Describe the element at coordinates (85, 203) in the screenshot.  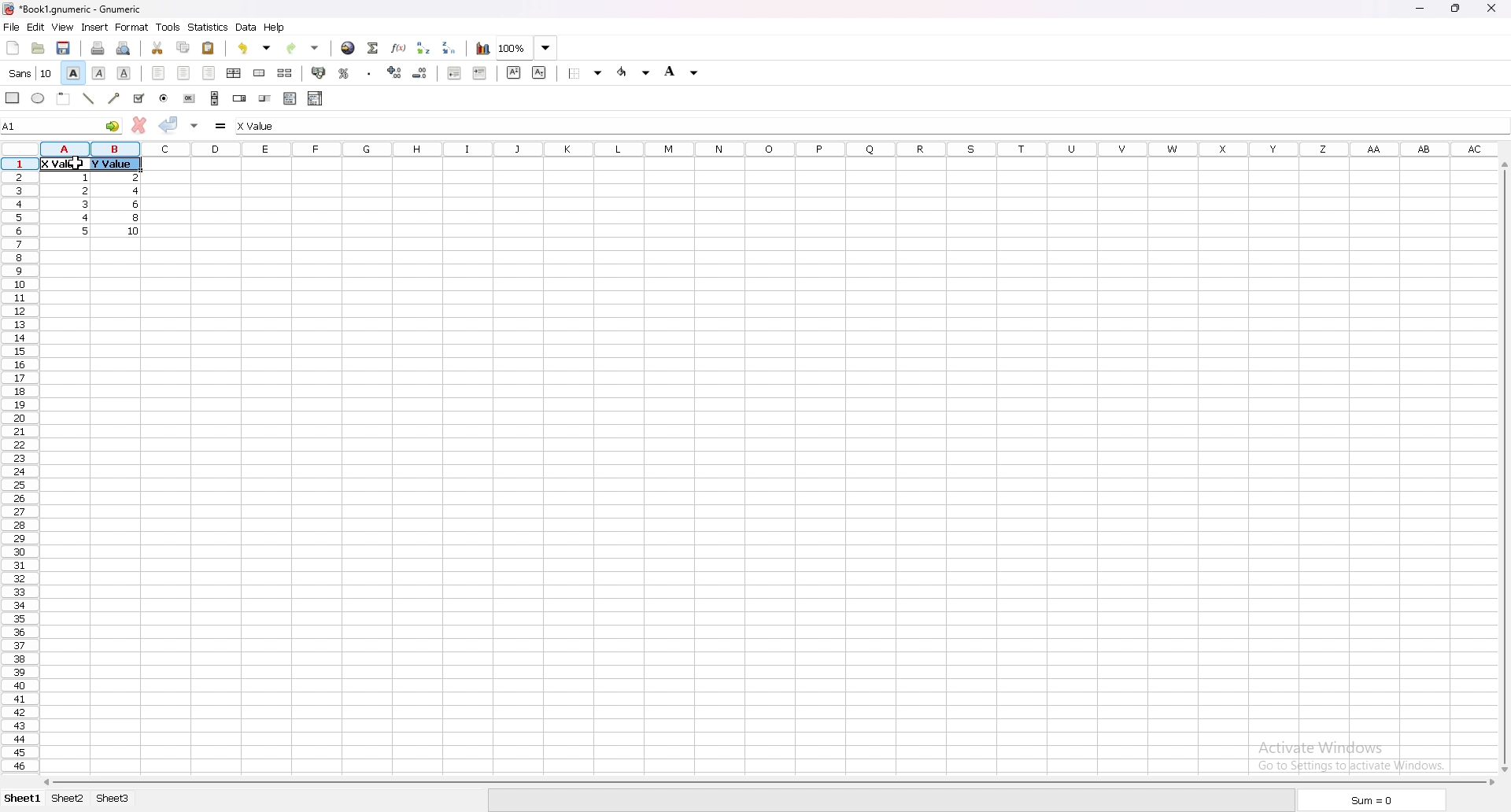
I see `value` at that location.